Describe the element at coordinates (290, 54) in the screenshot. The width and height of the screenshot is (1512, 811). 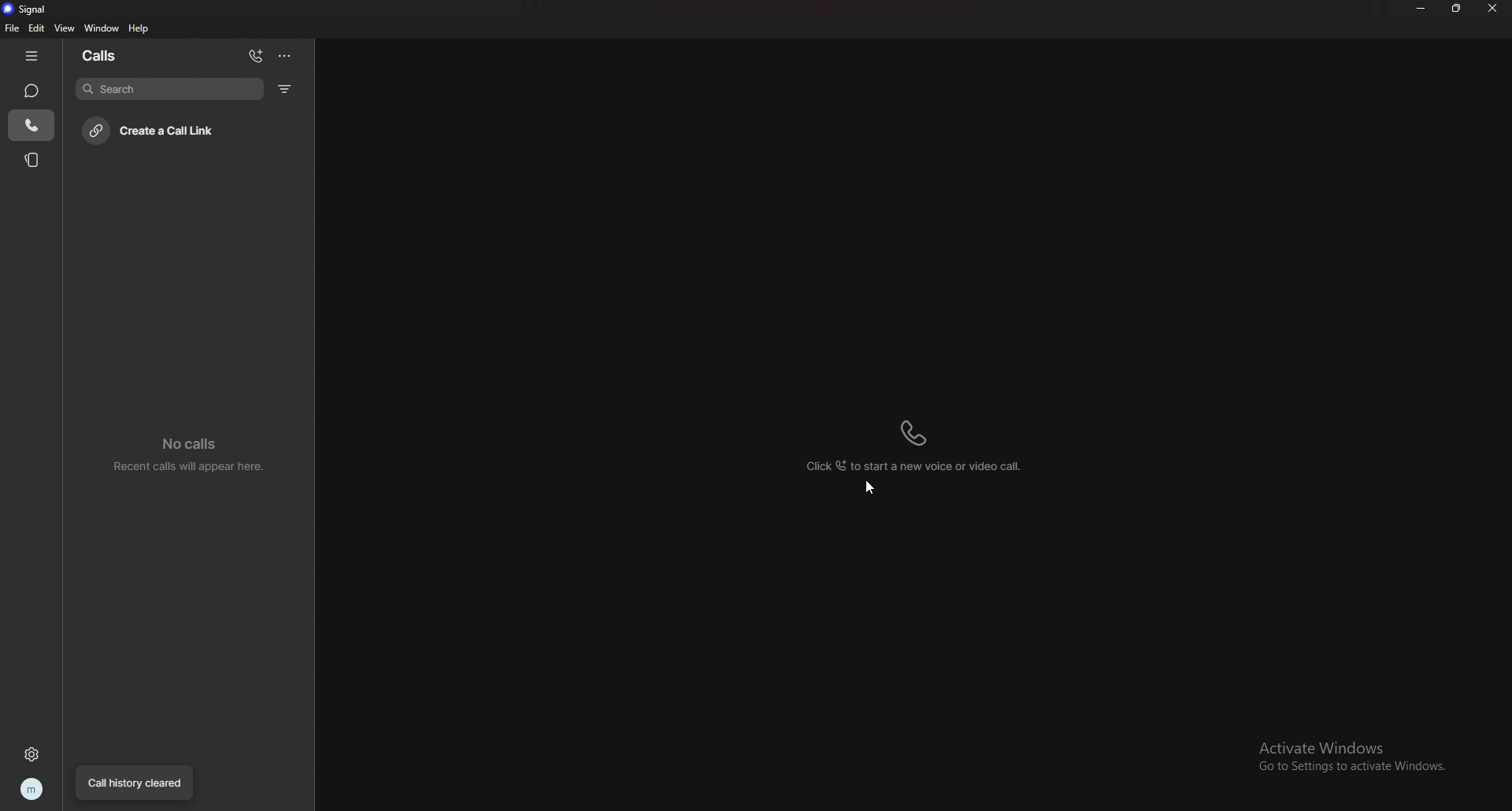
I see `options` at that location.